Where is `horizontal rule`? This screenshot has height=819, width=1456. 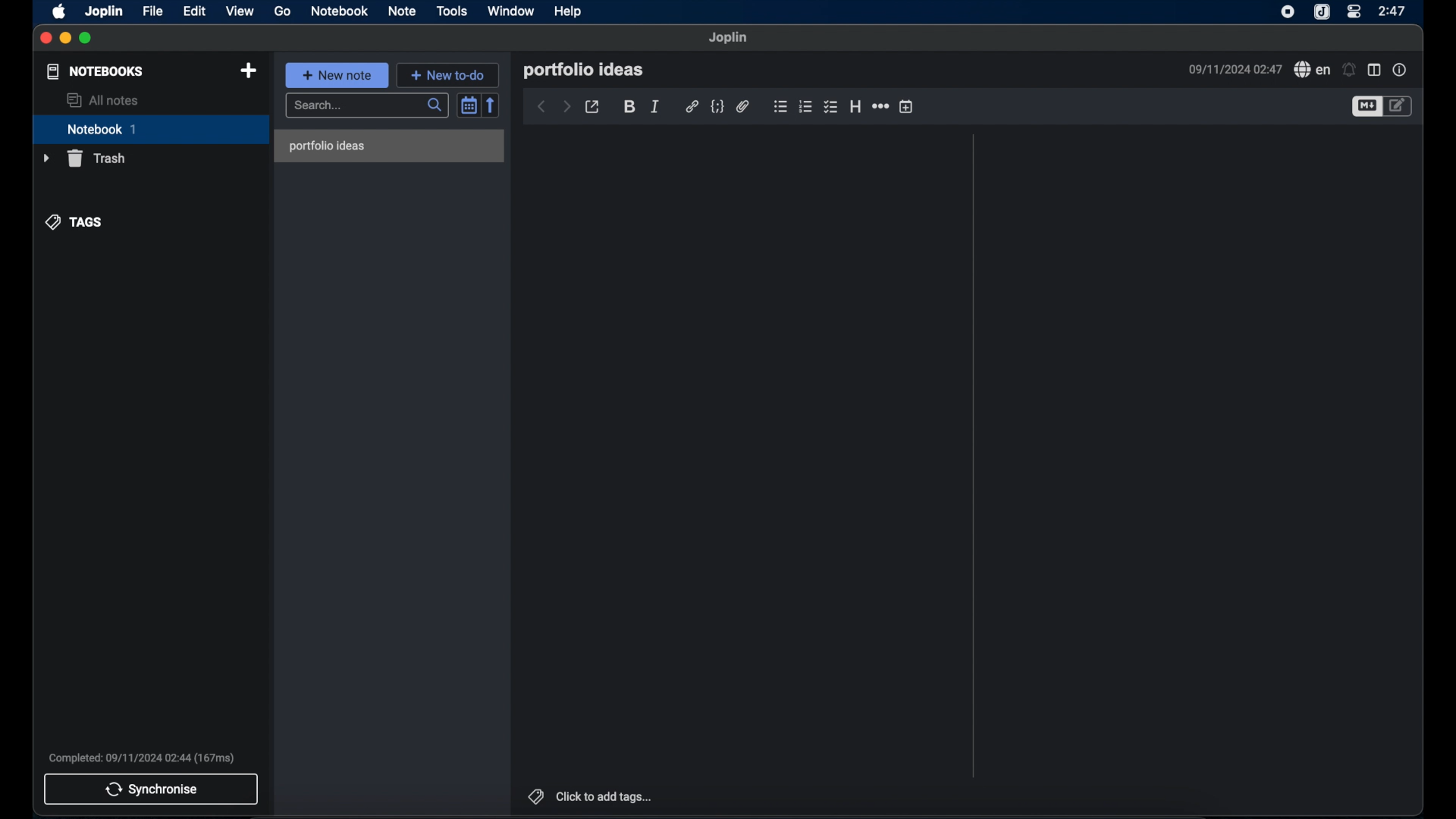 horizontal rule is located at coordinates (880, 106).